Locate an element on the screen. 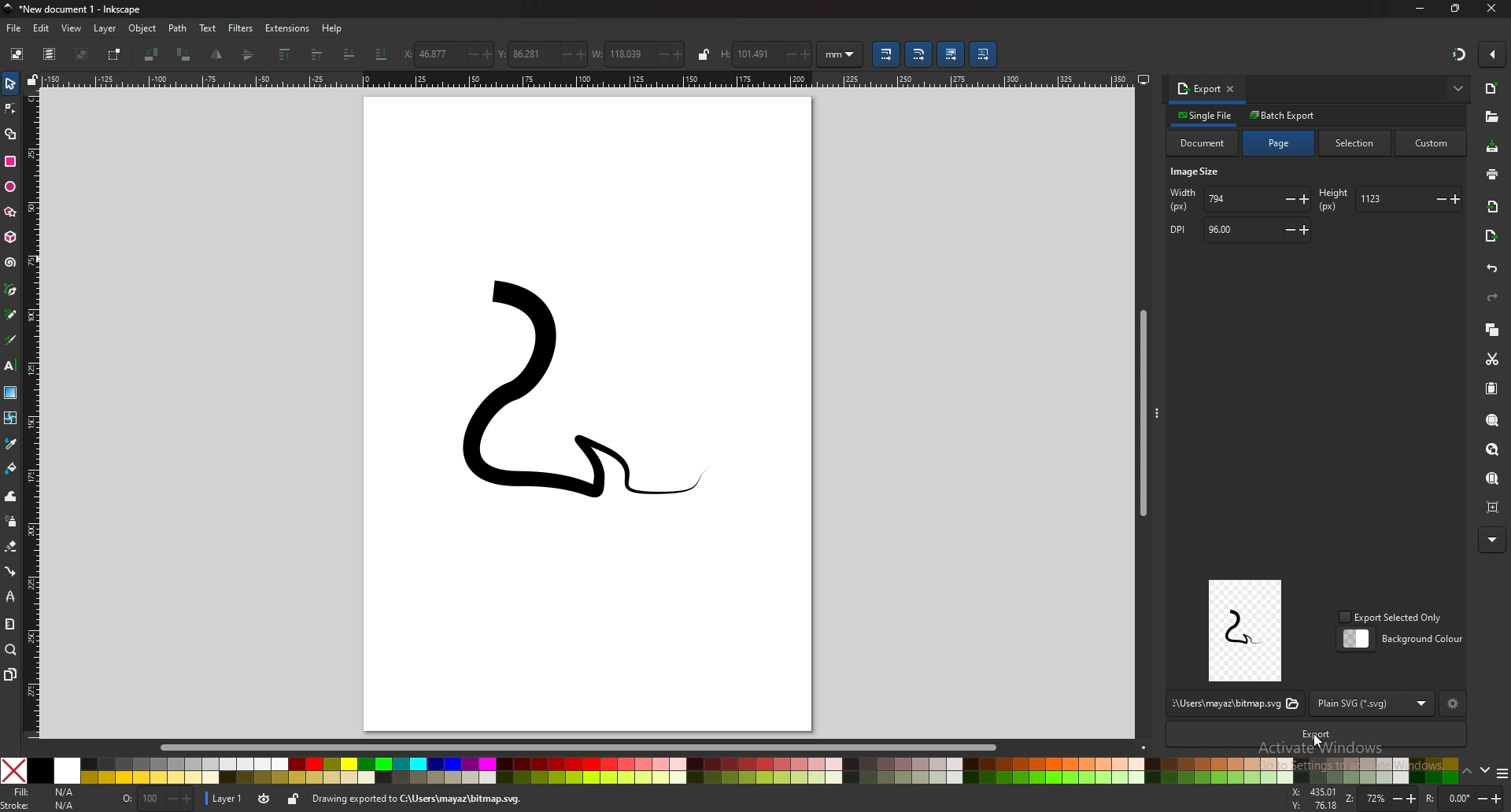 The height and width of the screenshot is (812, 1511). settings is located at coordinates (1454, 705).